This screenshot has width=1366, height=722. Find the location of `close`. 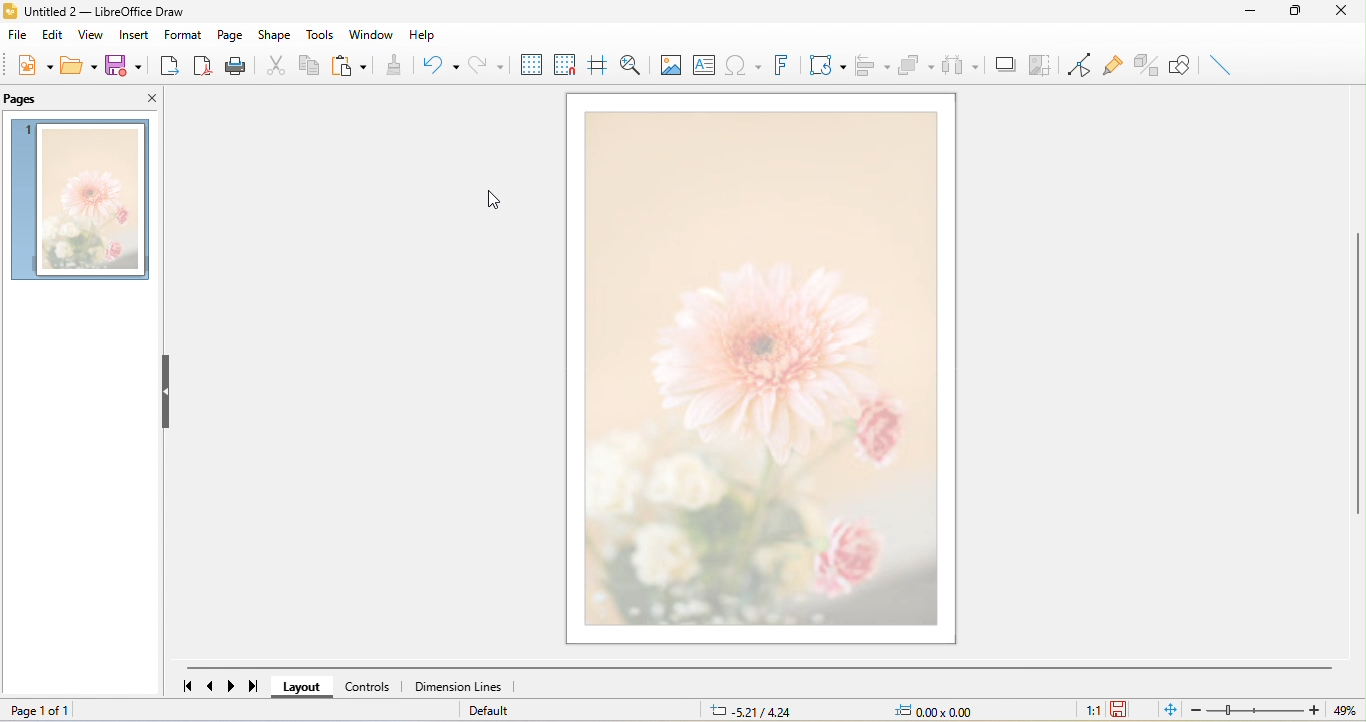

close is located at coordinates (138, 96).